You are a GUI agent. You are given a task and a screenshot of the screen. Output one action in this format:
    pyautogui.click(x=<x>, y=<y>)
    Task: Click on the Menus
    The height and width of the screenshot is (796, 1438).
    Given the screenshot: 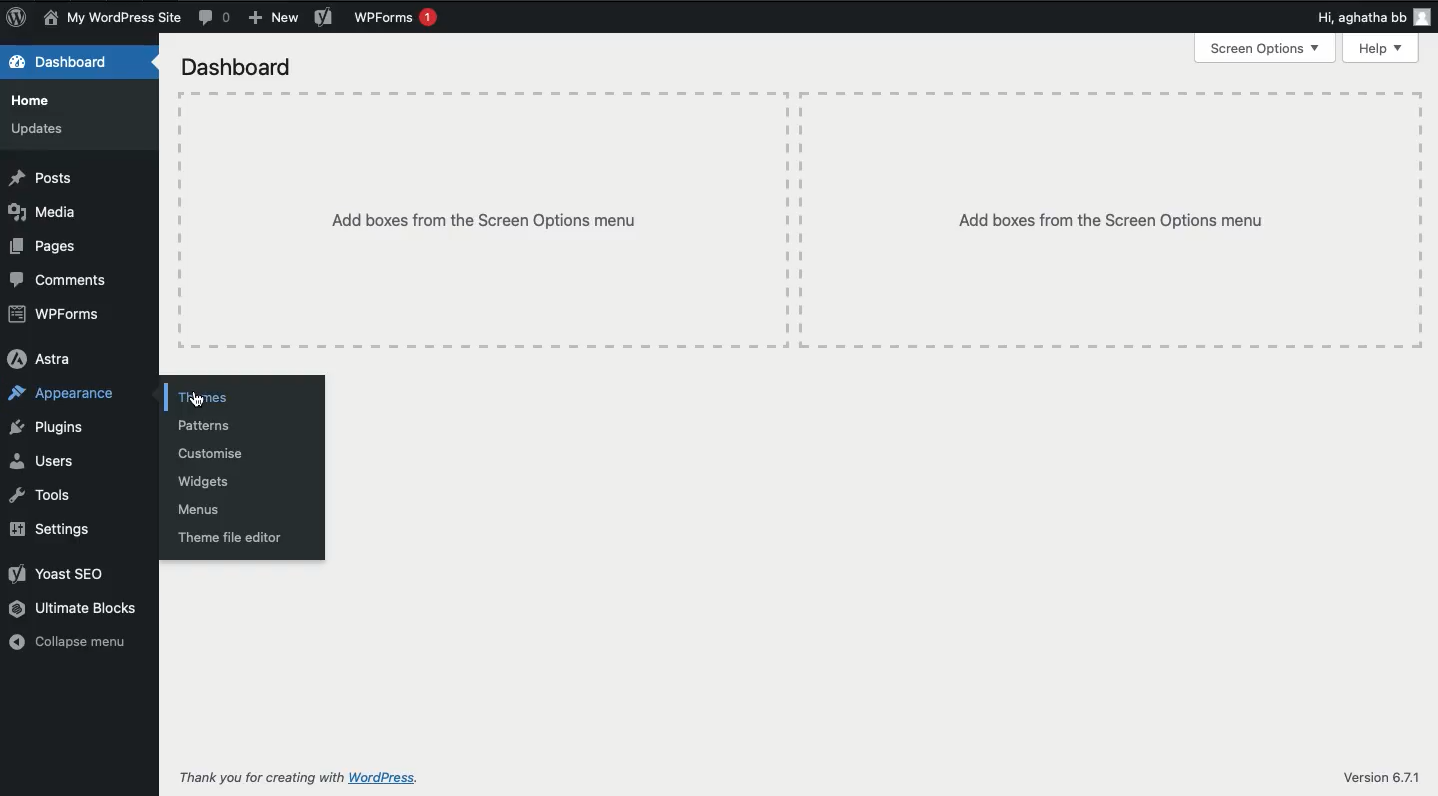 What is the action you would take?
    pyautogui.click(x=203, y=511)
    